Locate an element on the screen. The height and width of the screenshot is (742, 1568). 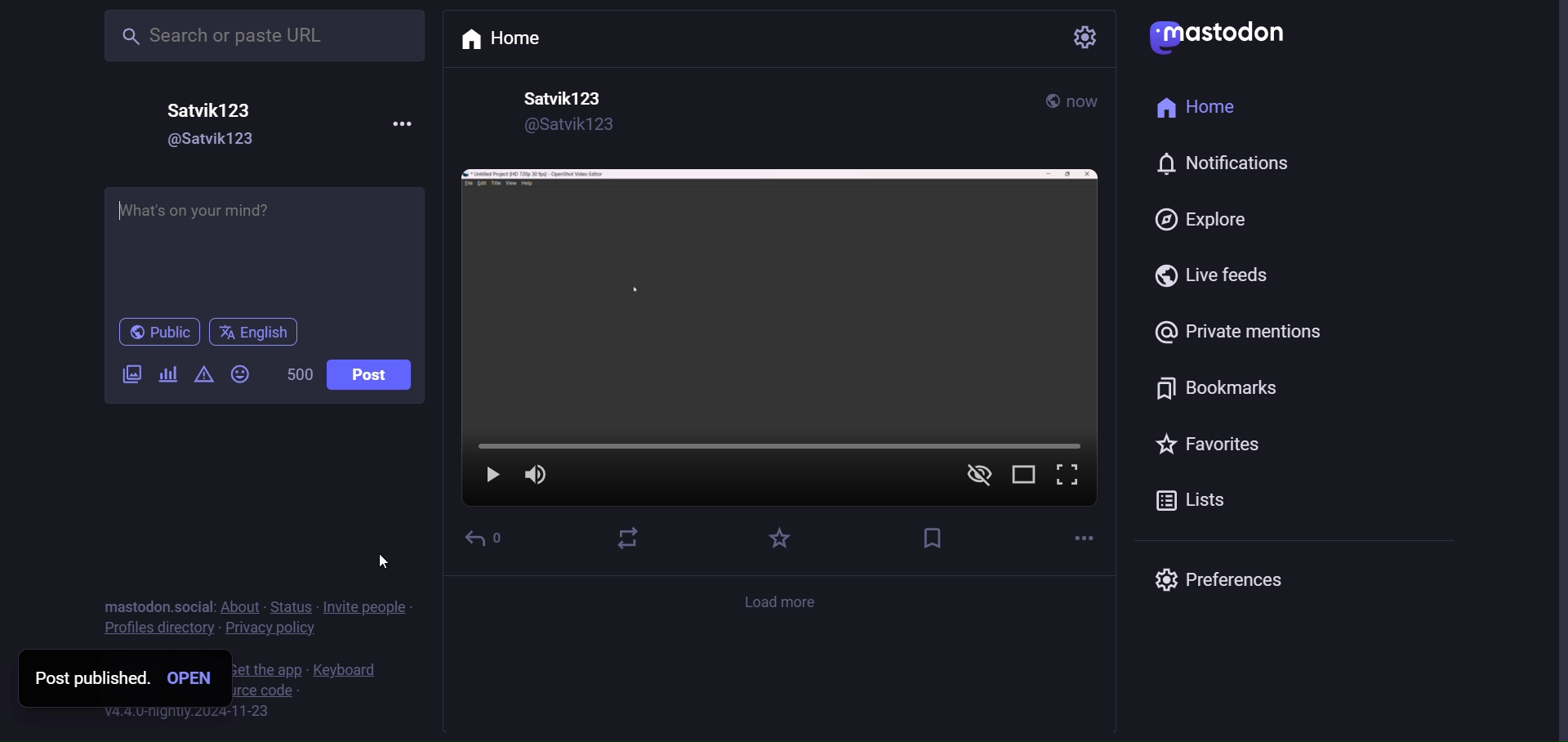
bookmark is located at coordinates (933, 538).